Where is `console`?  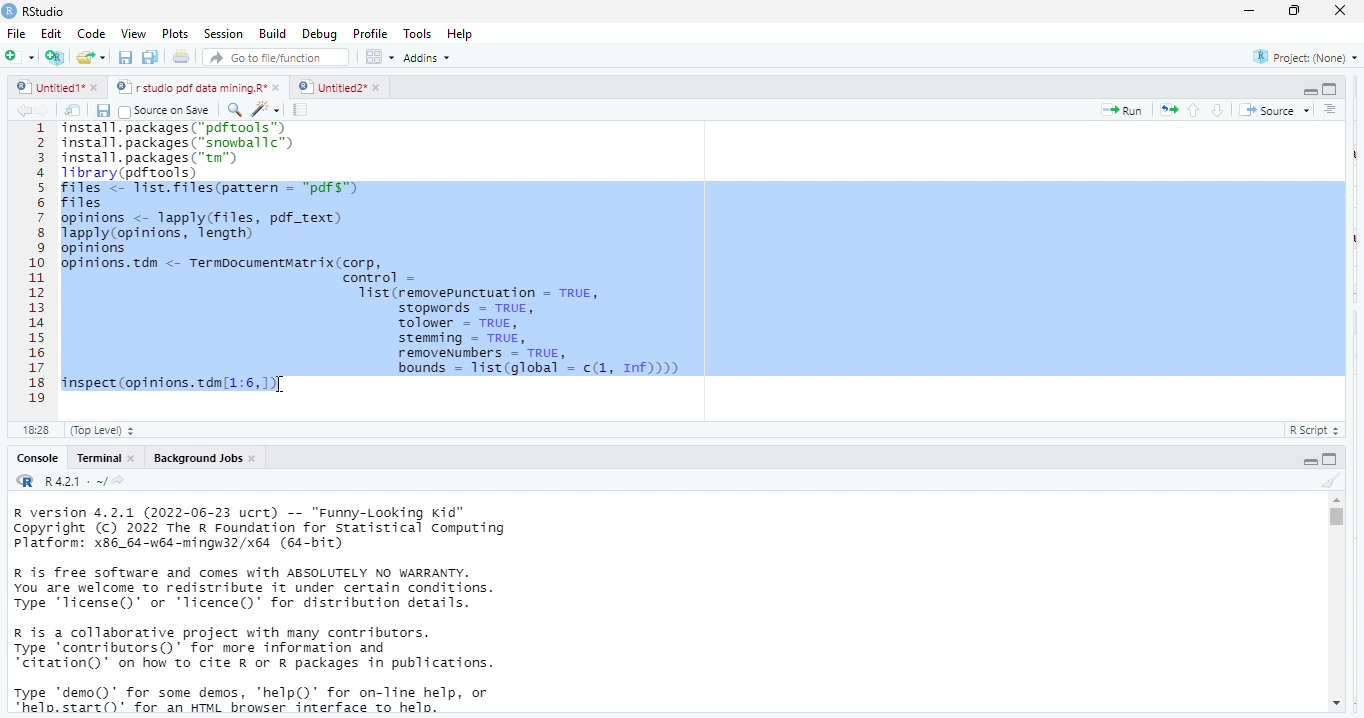
console is located at coordinates (36, 458).